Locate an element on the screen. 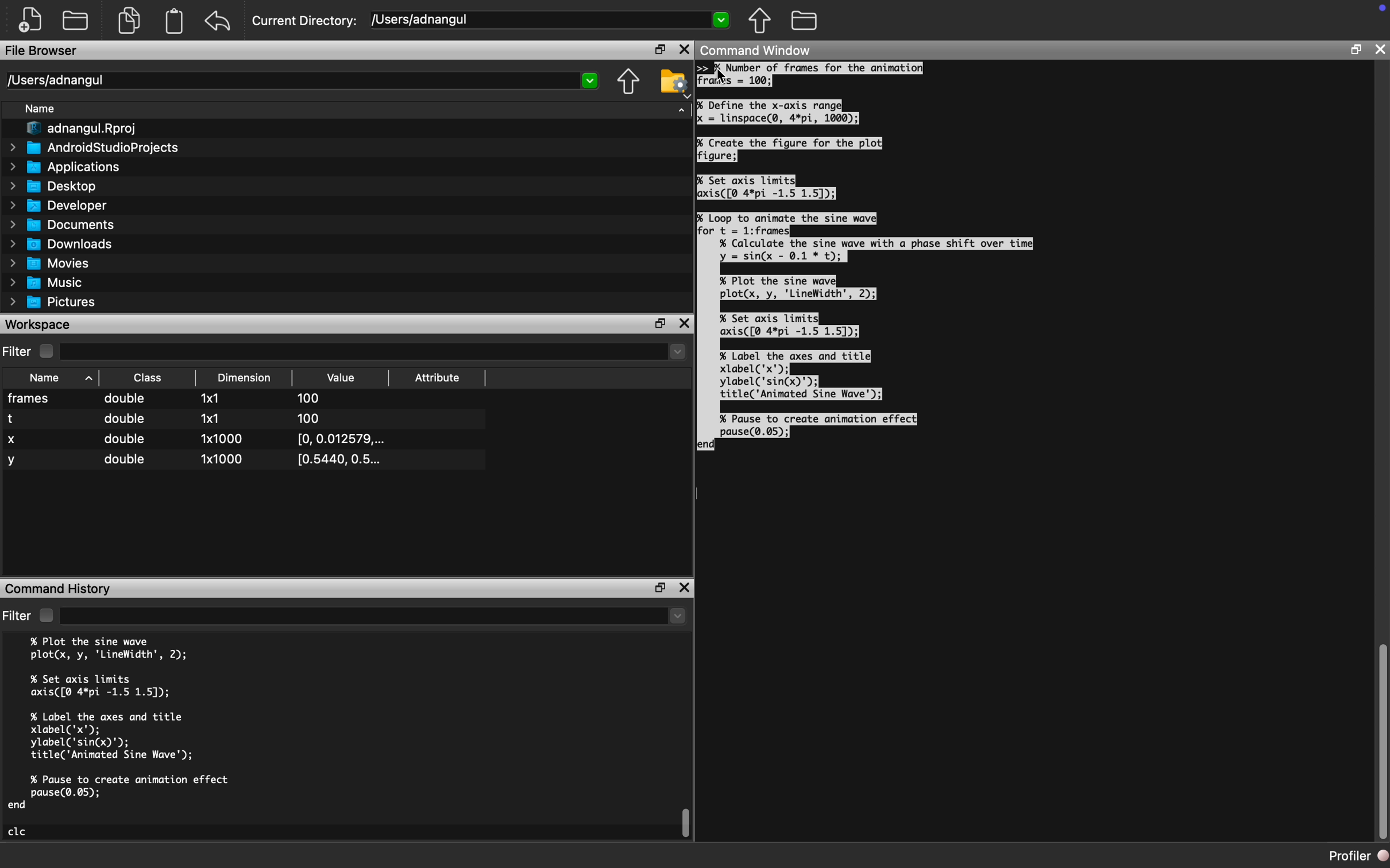 Image resolution: width=1390 pixels, height=868 pixels. AndroidStudioProjects is located at coordinates (94, 148).